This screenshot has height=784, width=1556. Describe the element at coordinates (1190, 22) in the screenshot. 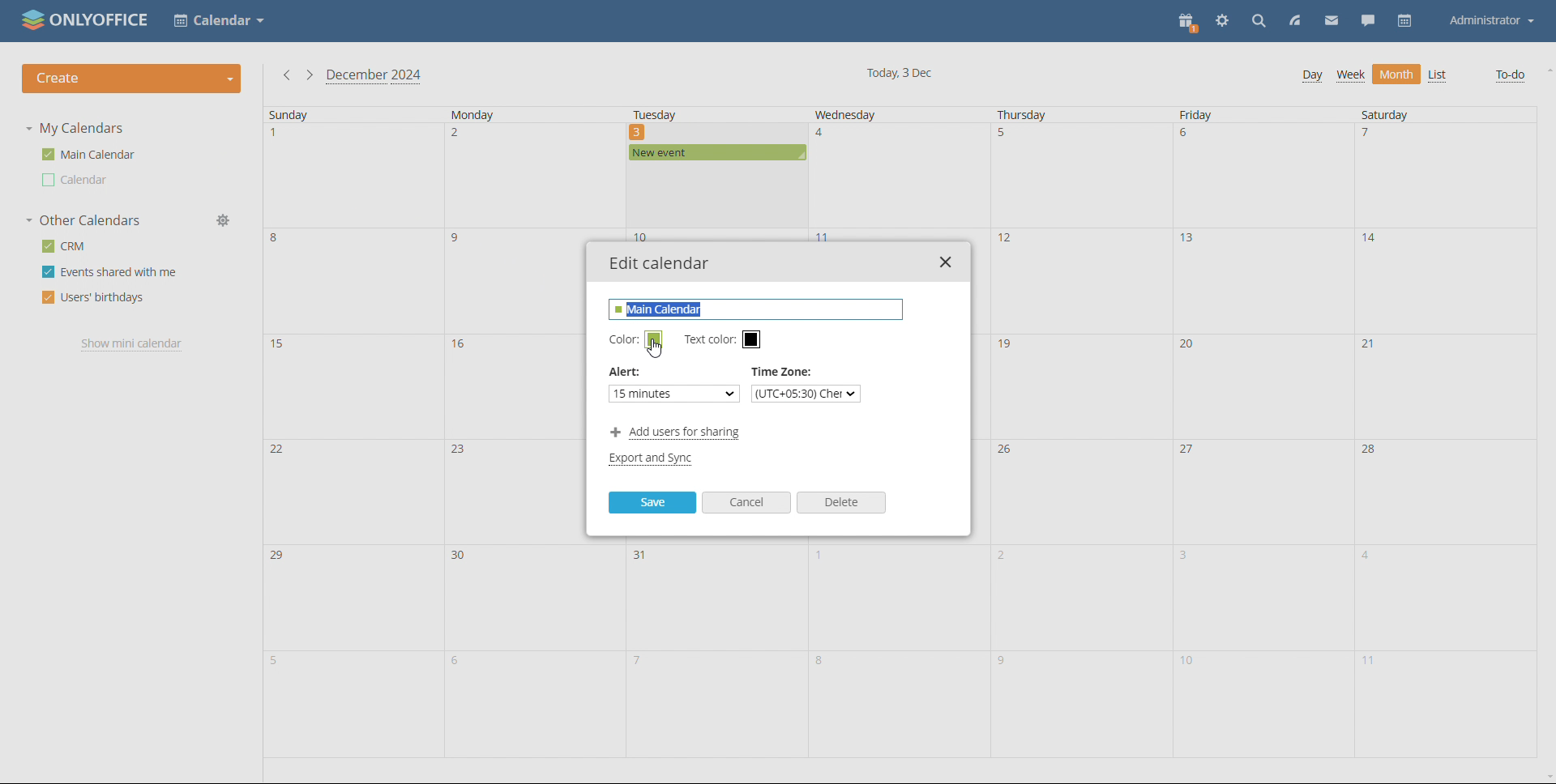

I see `present` at that location.